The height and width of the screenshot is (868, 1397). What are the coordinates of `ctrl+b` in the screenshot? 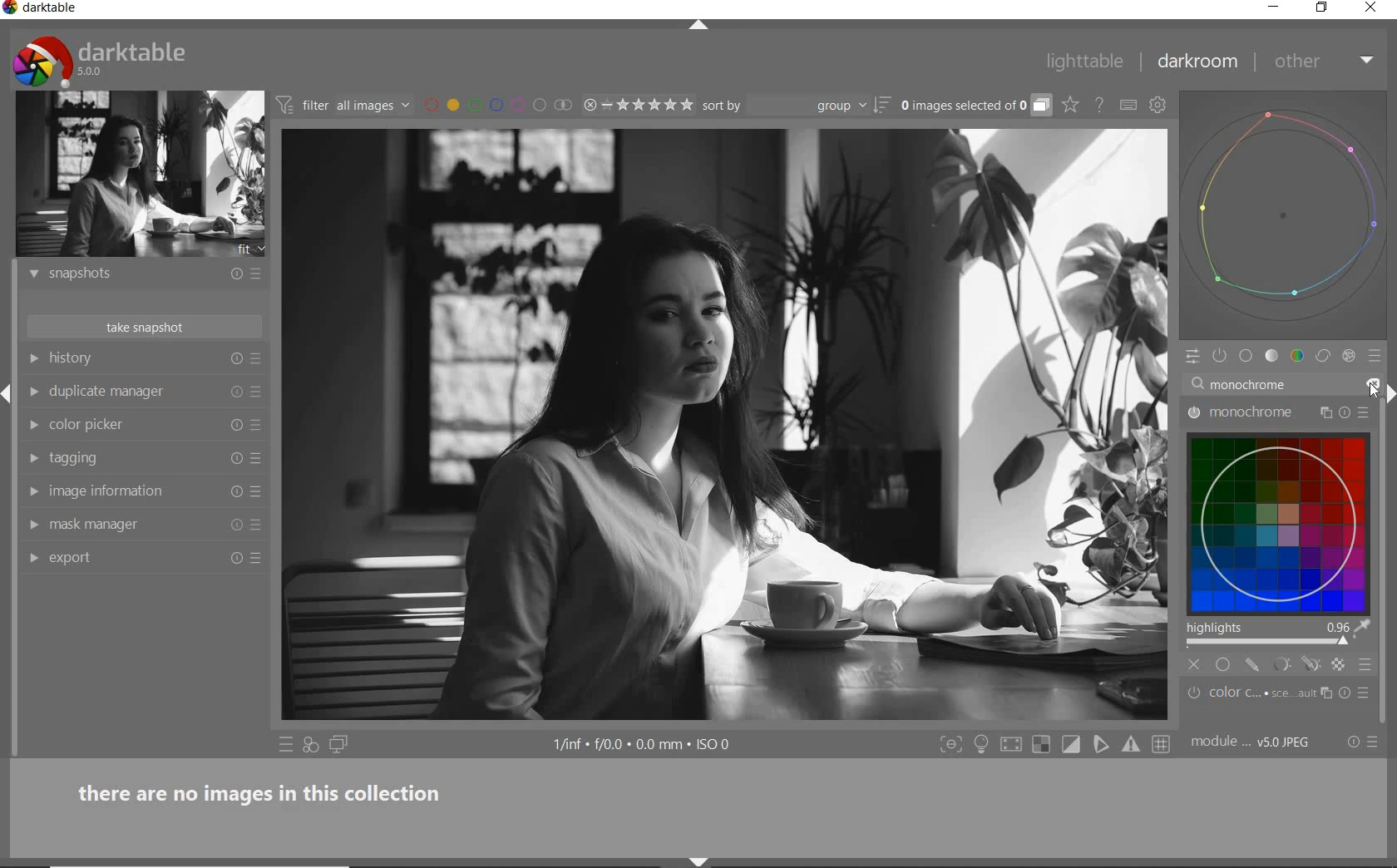 It's located at (983, 744).